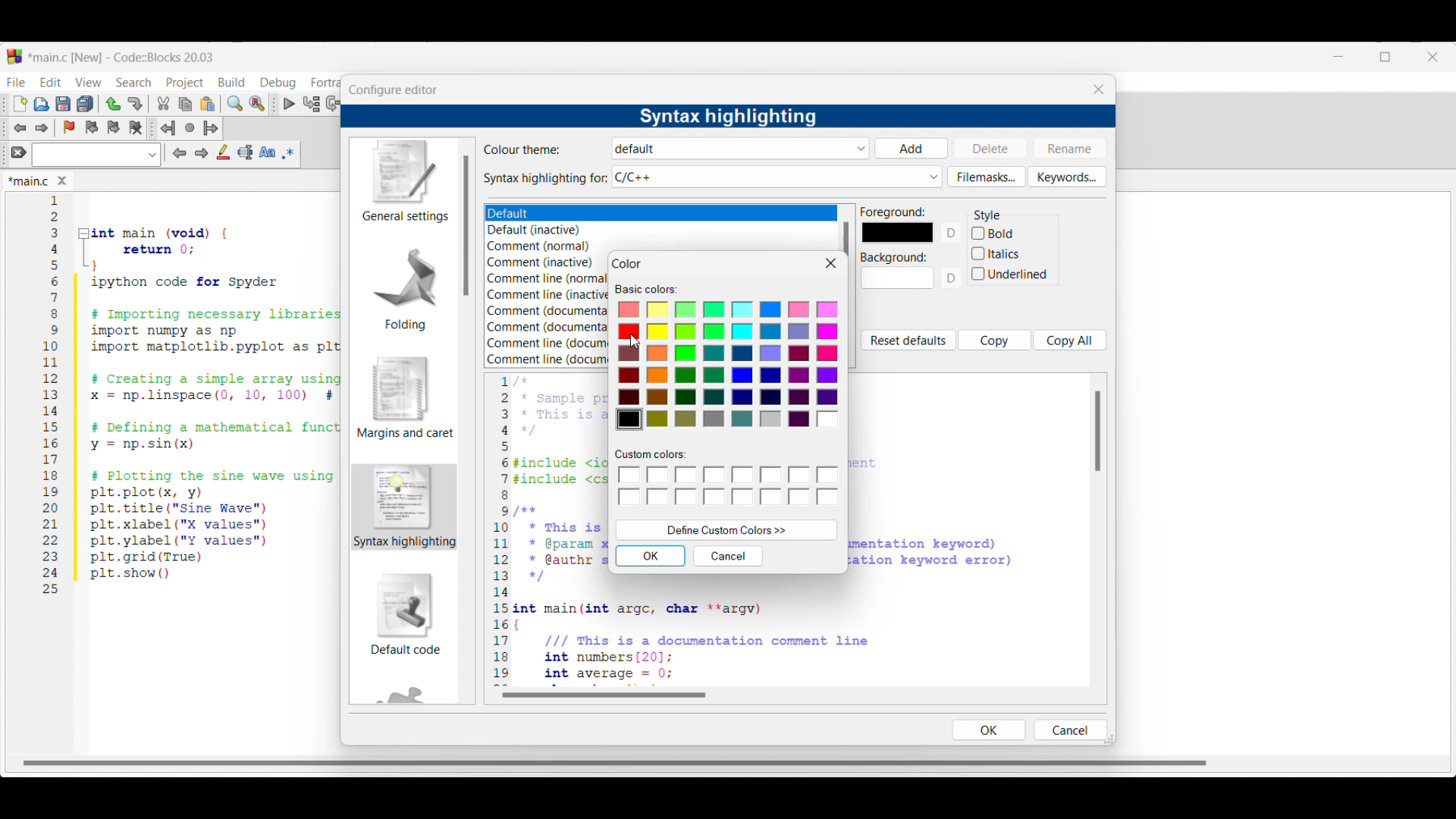 This screenshot has height=819, width=1456. Describe the element at coordinates (548, 341) in the screenshot. I see `Comment line (documentation)` at that location.